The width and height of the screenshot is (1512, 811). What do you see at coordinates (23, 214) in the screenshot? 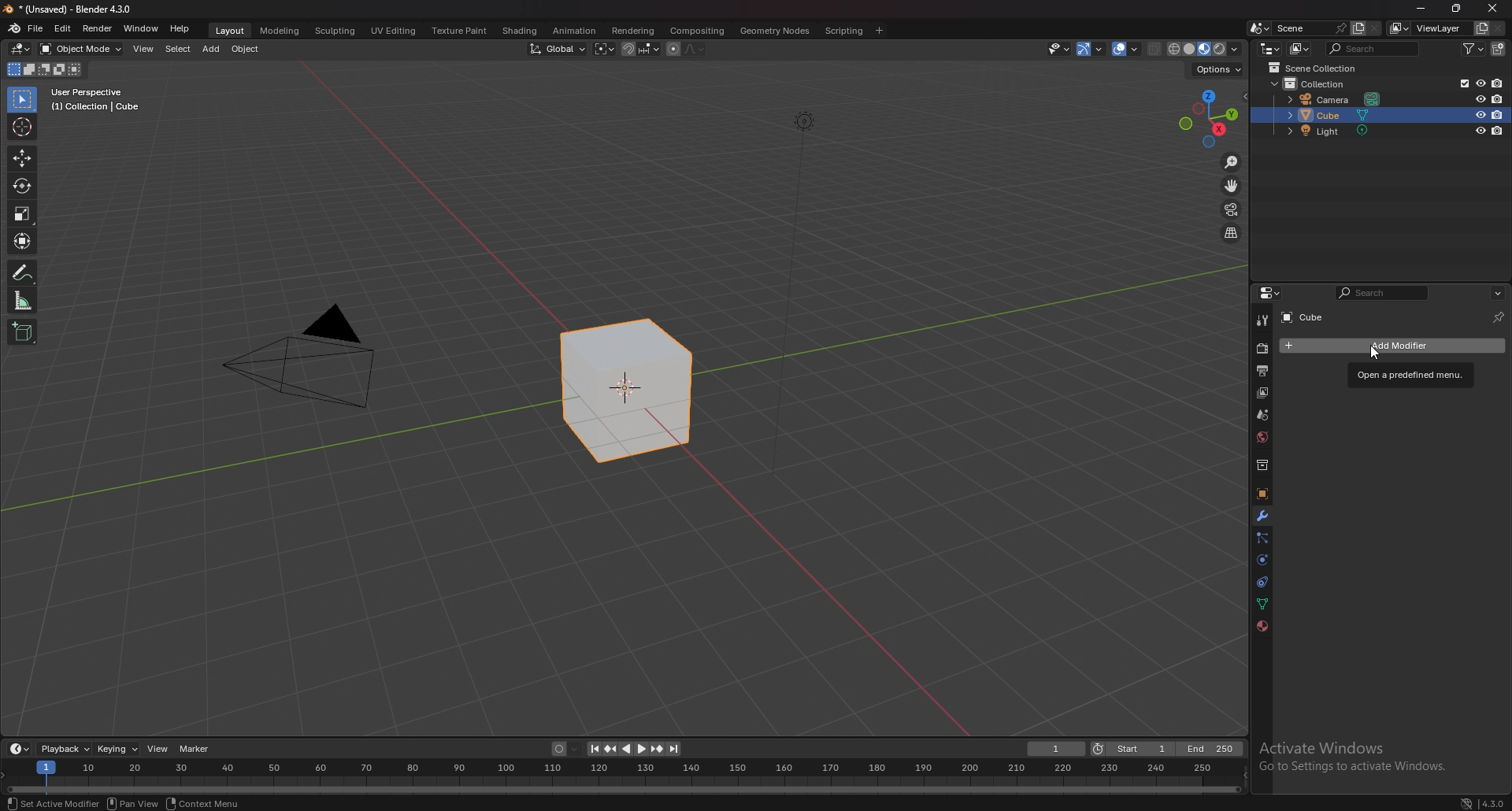
I see `scale` at bounding box center [23, 214].